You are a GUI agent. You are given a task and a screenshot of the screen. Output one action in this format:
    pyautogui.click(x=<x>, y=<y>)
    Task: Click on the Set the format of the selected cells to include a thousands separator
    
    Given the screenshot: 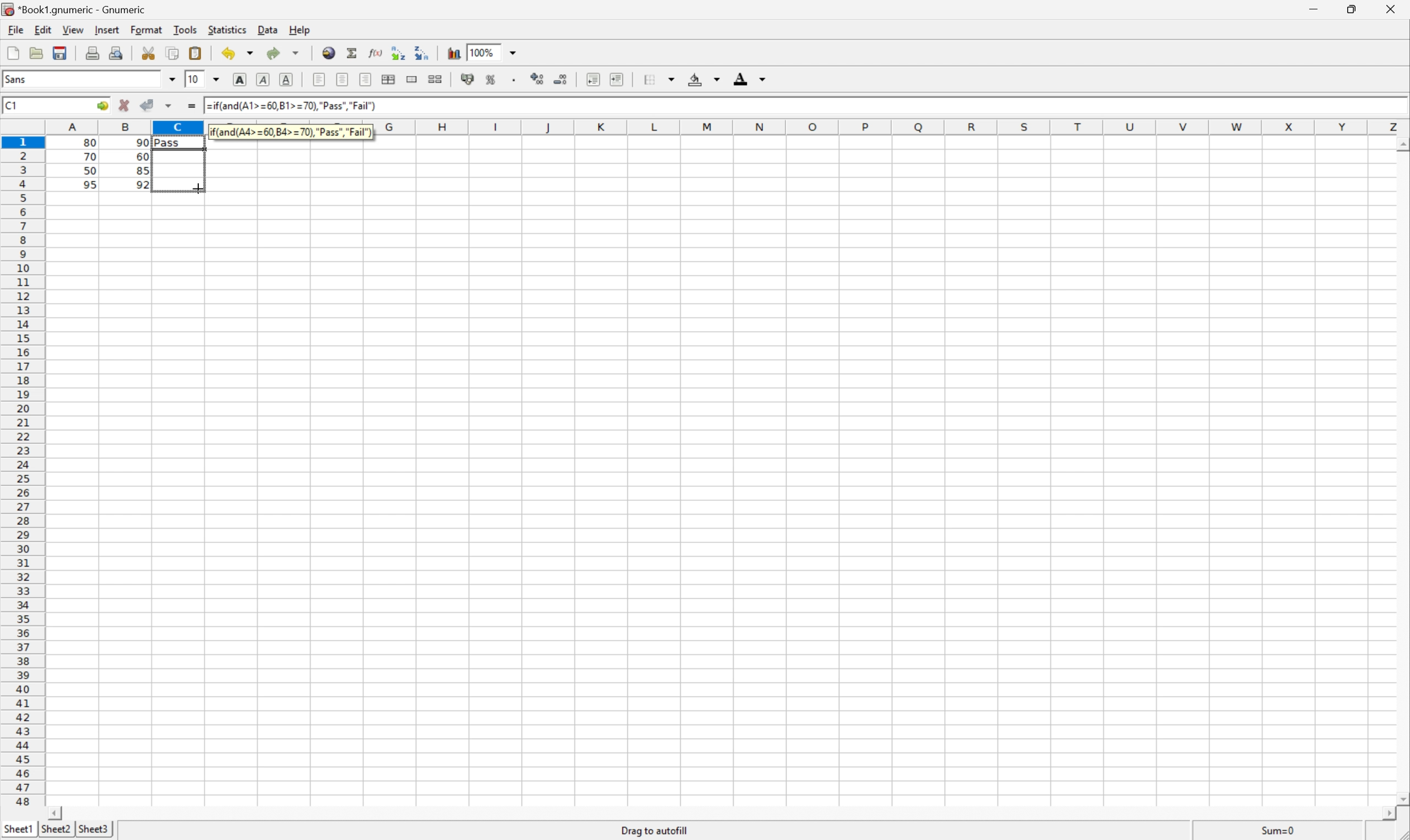 What is the action you would take?
    pyautogui.click(x=516, y=77)
    